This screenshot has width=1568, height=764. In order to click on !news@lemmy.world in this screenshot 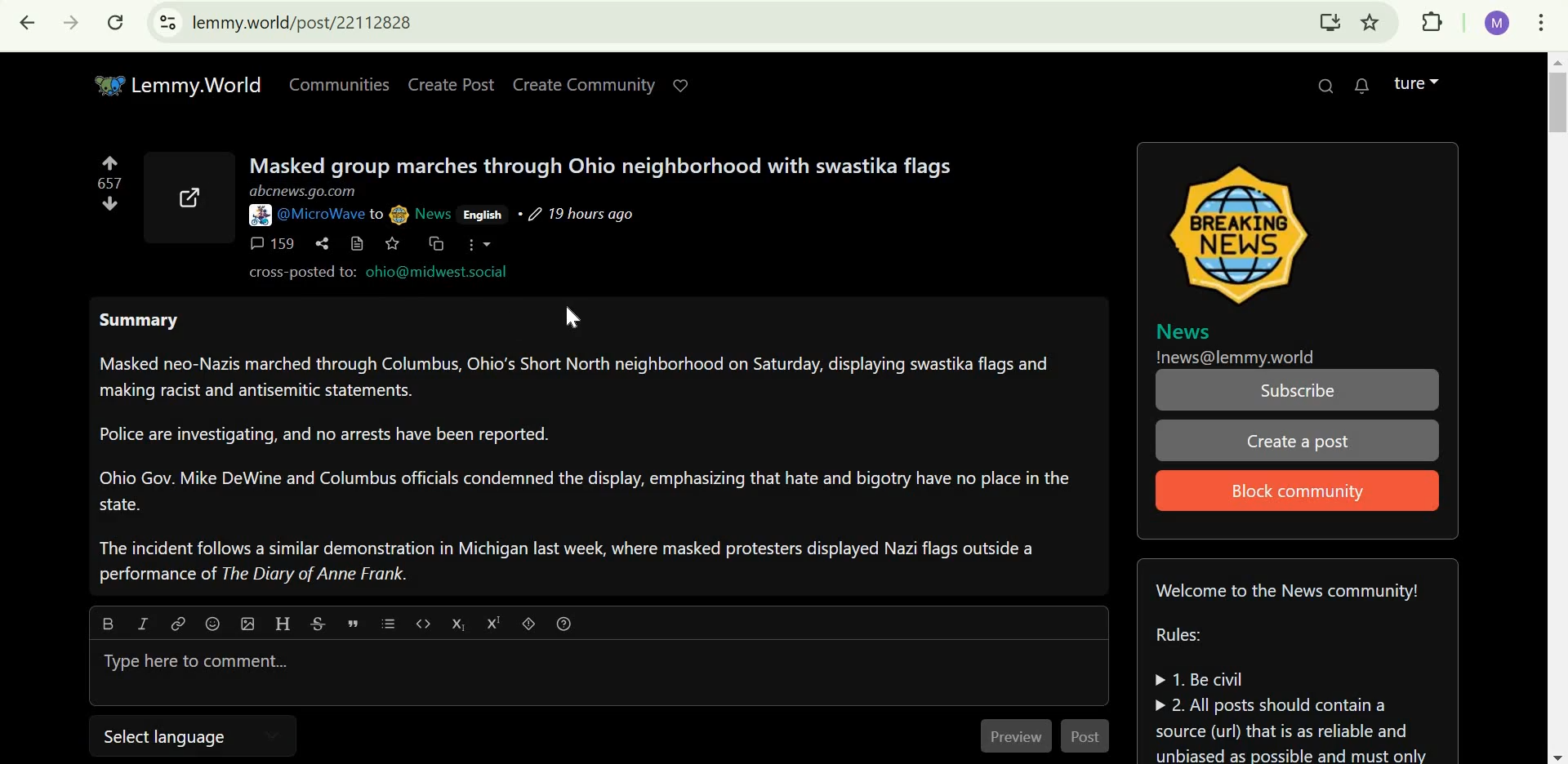, I will do `click(1238, 358)`.